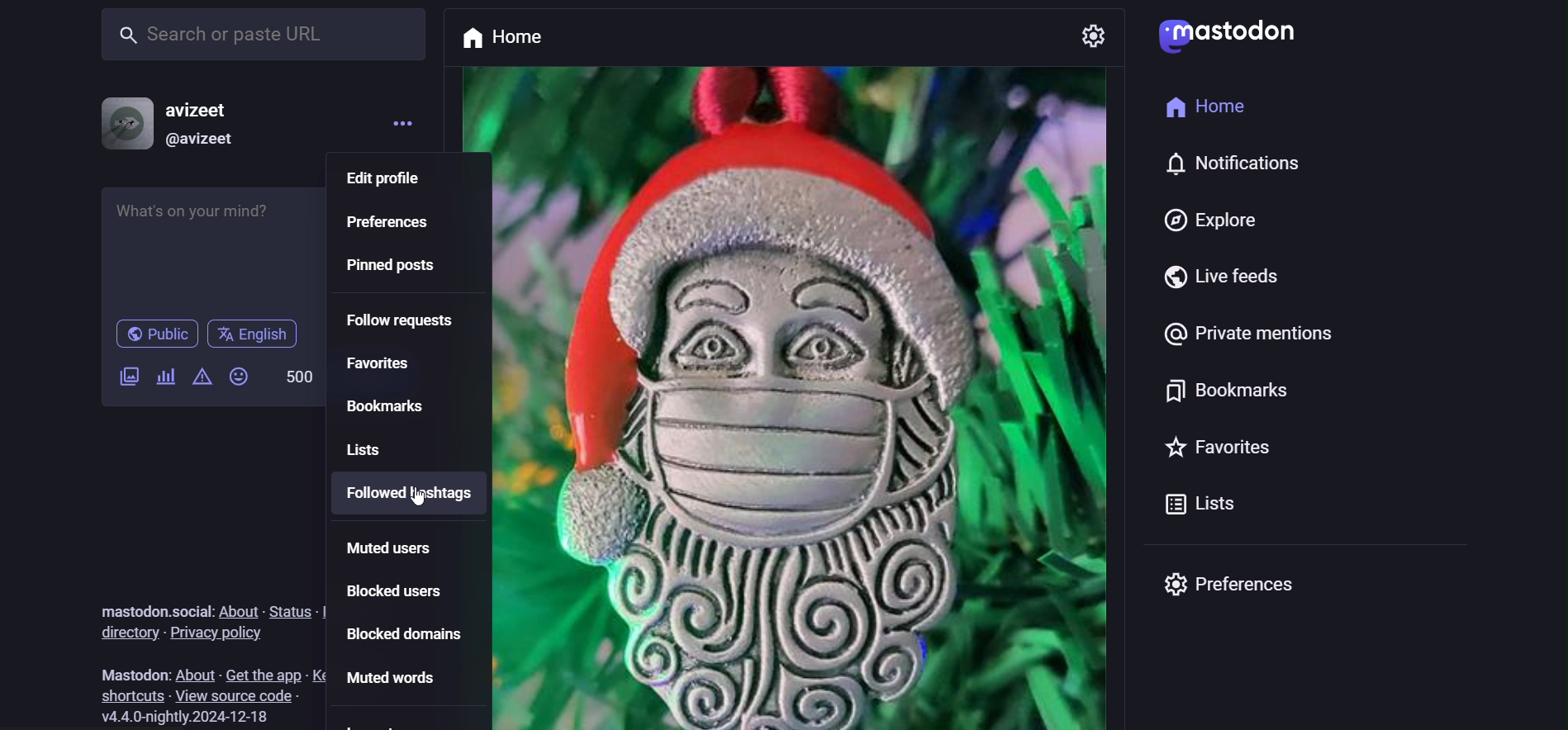  Describe the element at coordinates (405, 551) in the screenshot. I see `muted users` at that location.